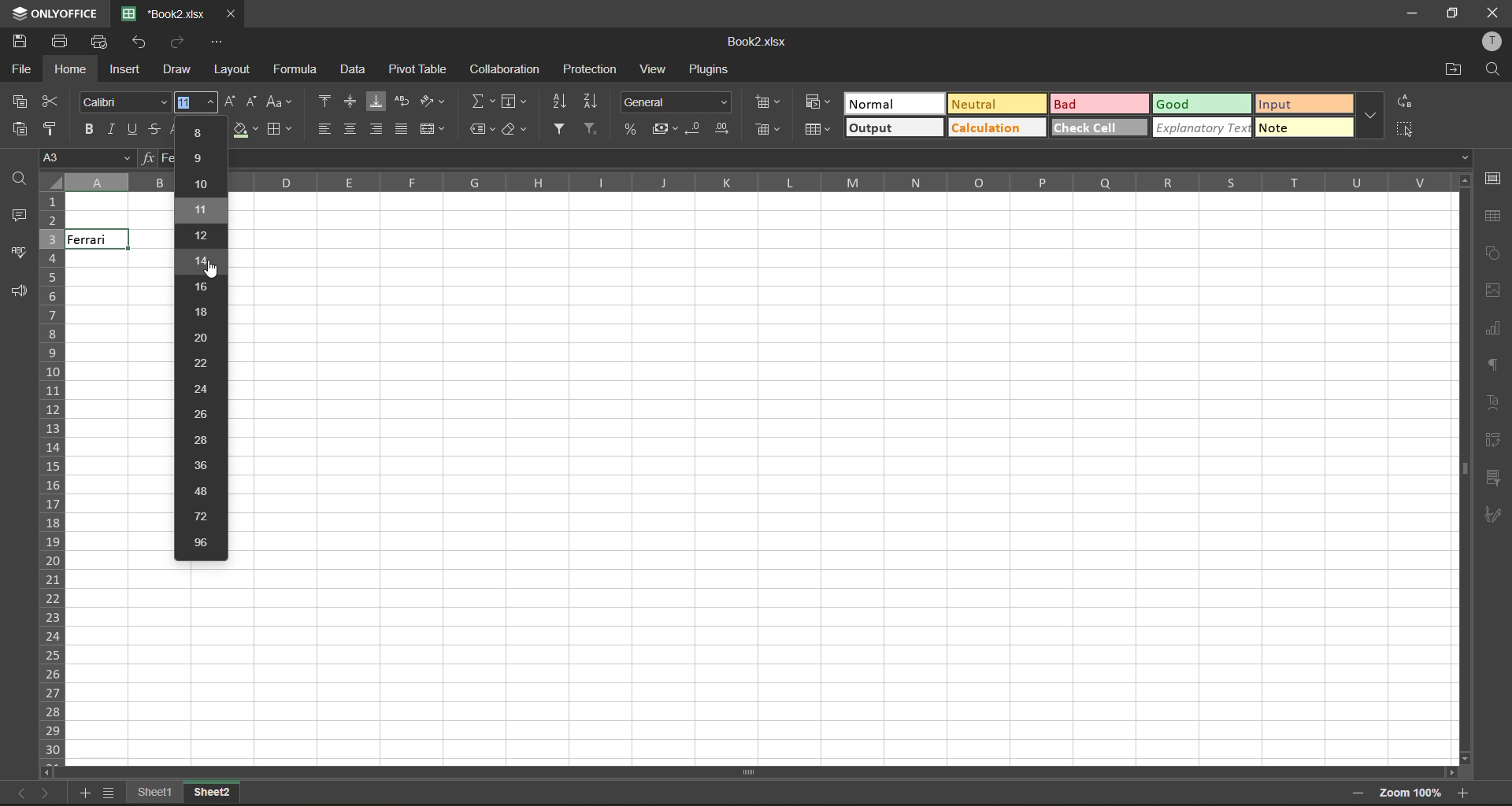  I want to click on decrease decimal, so click(691, 128).